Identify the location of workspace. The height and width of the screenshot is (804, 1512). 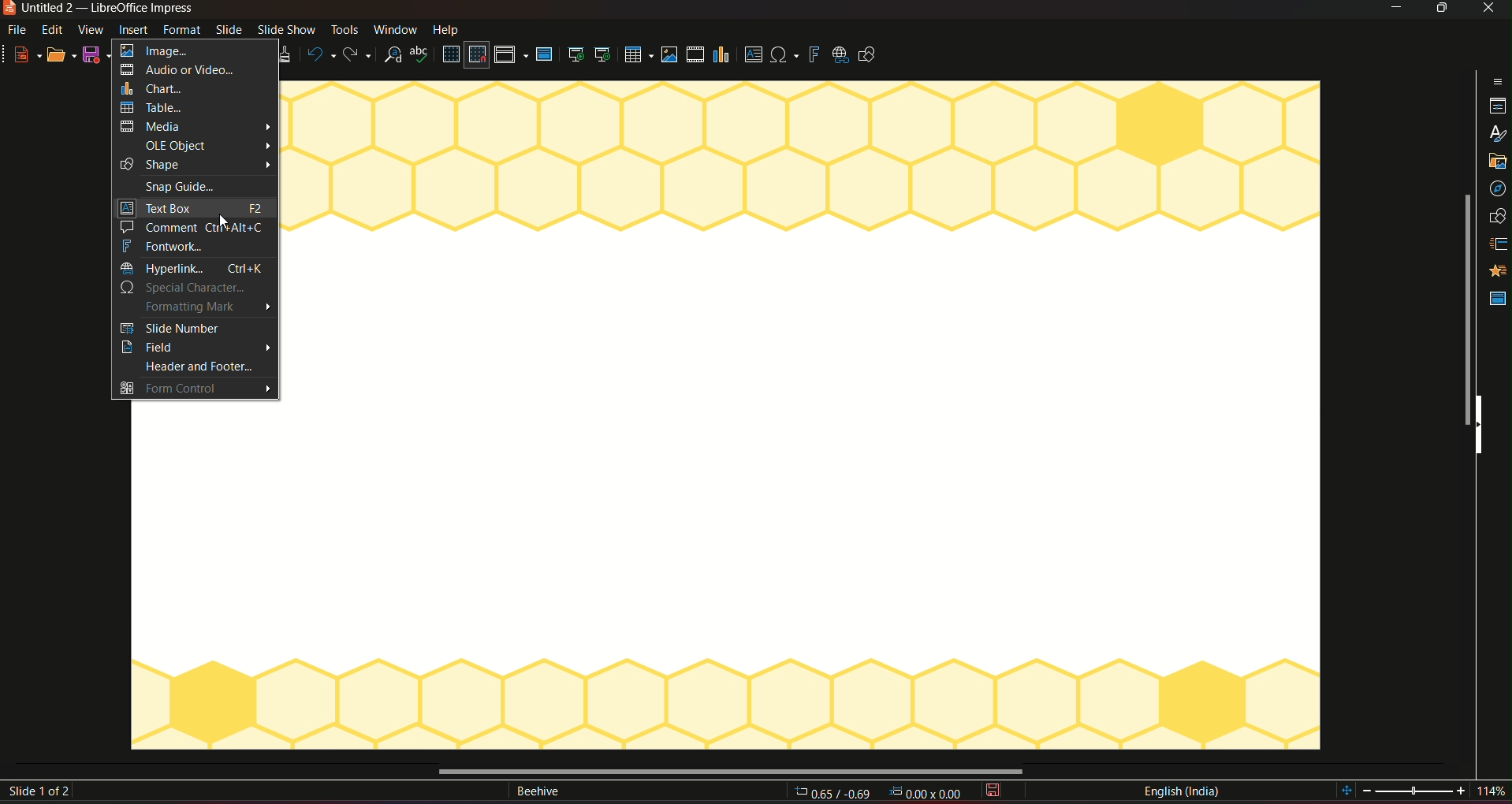
(806, 415).